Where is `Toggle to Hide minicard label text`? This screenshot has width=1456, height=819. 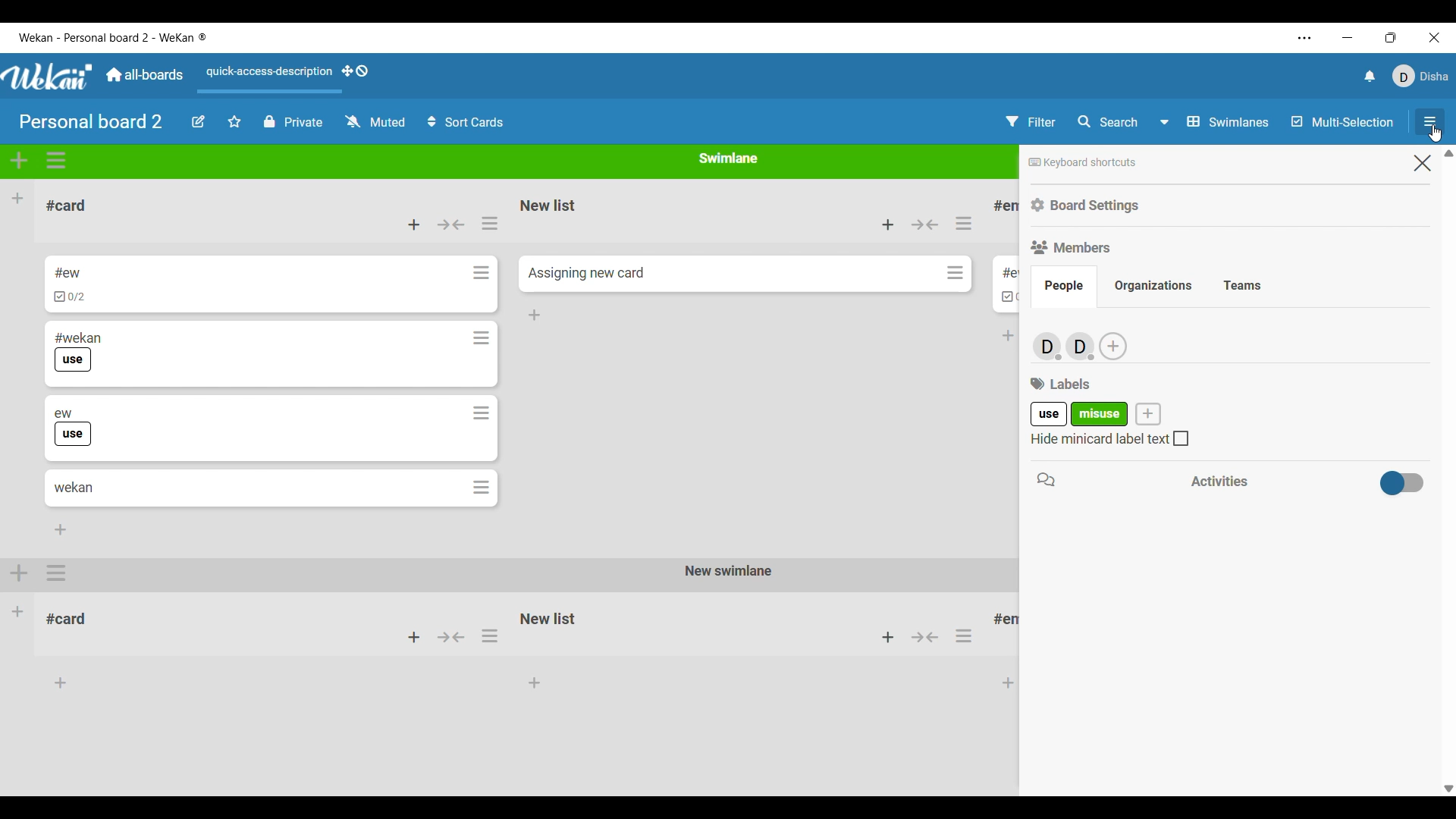 Toggle to Hide minicard label text is located at coordinates (1109, 438).